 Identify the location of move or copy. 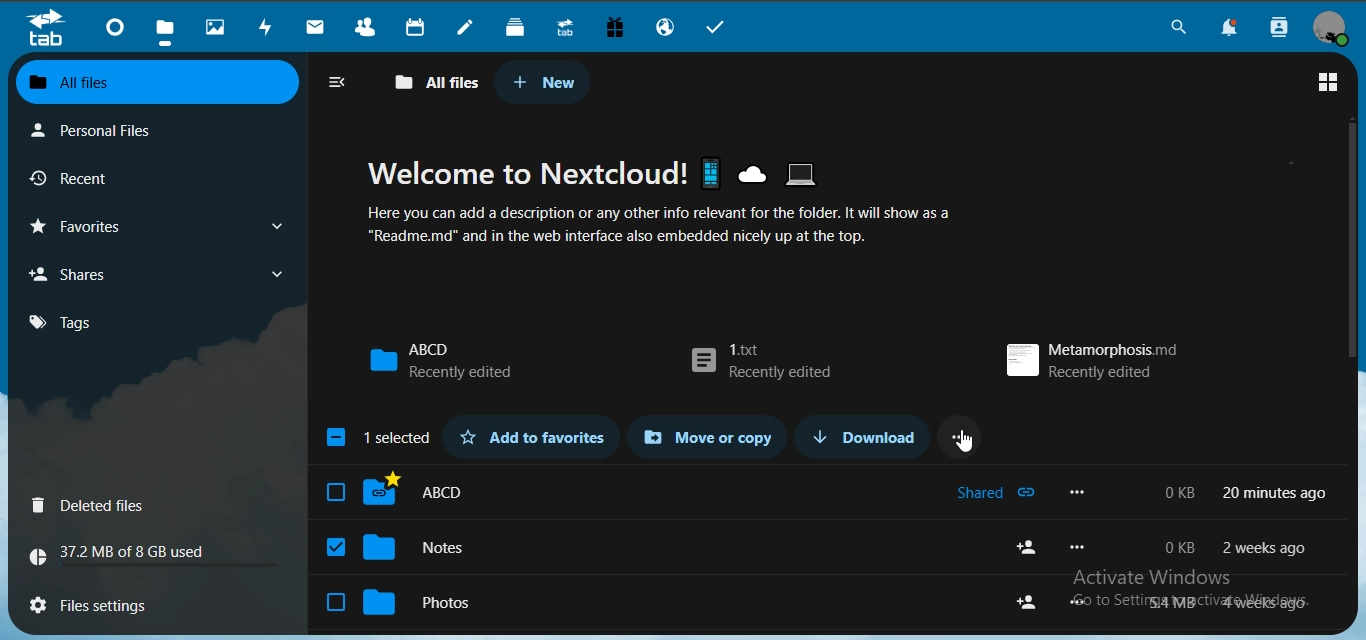
(708, 437).